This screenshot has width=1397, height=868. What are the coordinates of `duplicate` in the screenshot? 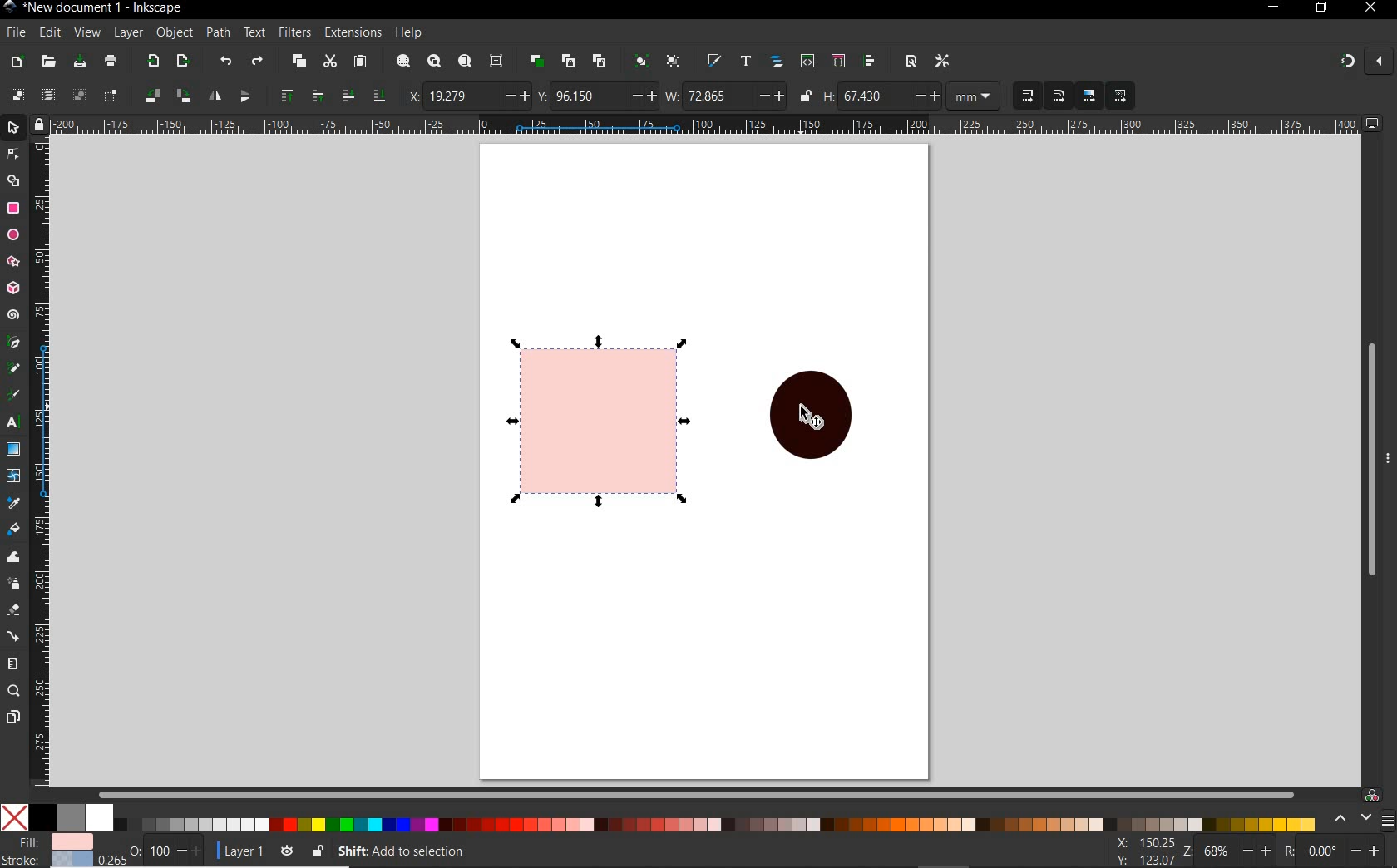 It's located at (538, 62).